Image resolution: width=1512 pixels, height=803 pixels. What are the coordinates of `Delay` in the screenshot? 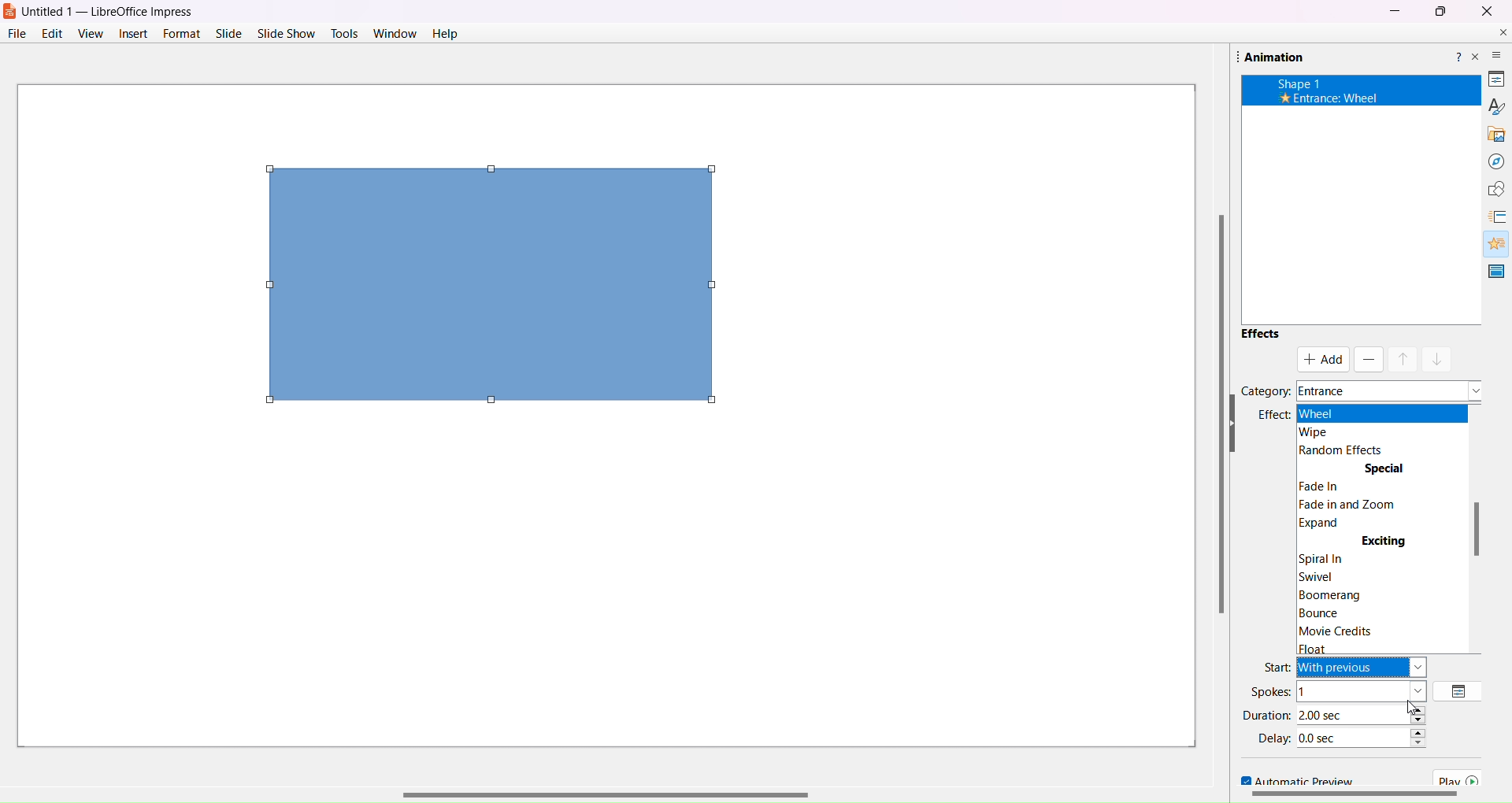 It's located at (1272, 738).